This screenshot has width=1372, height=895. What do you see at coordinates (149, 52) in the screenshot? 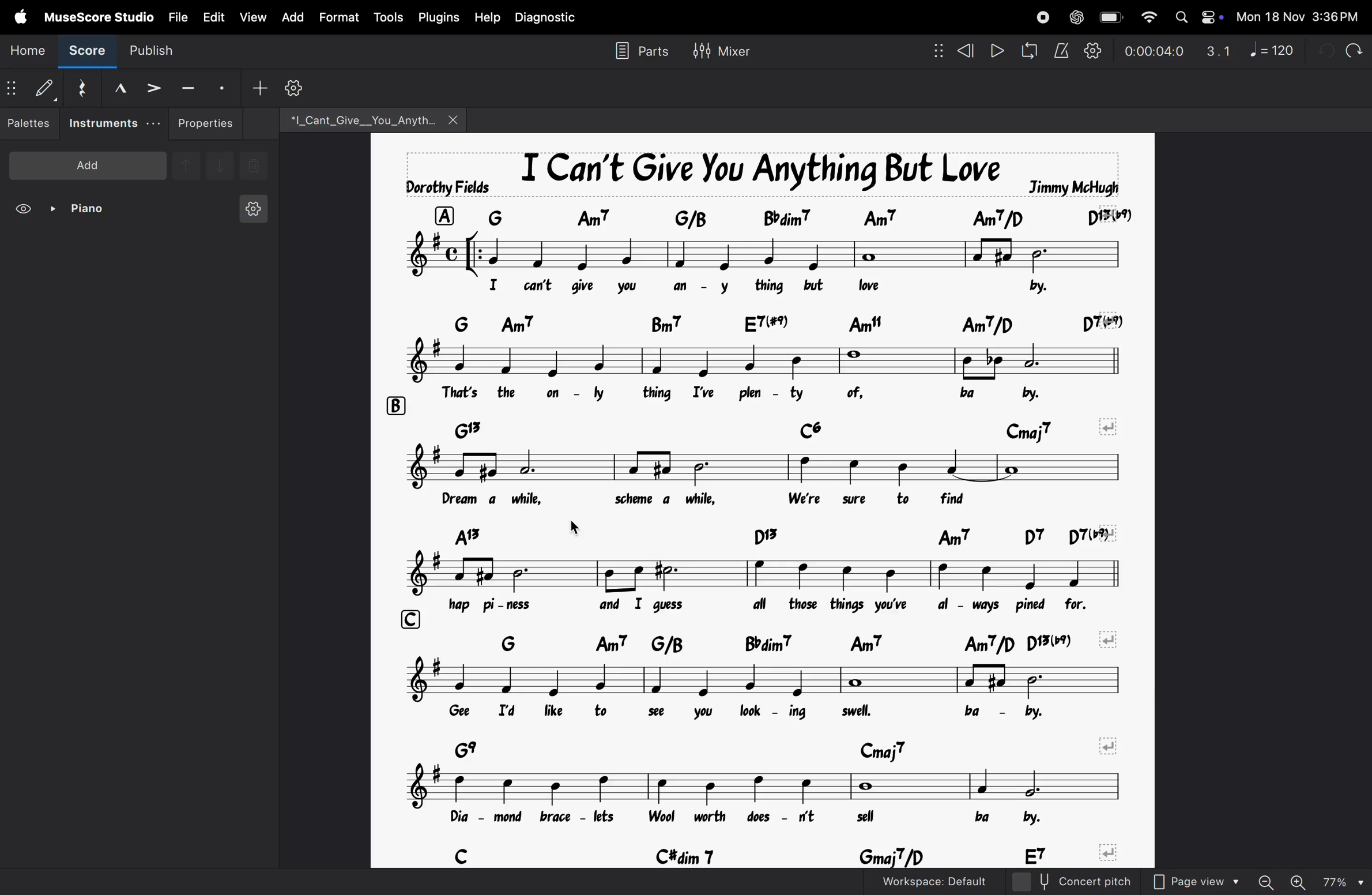
I see `publish` at bounding box center [149, 52].